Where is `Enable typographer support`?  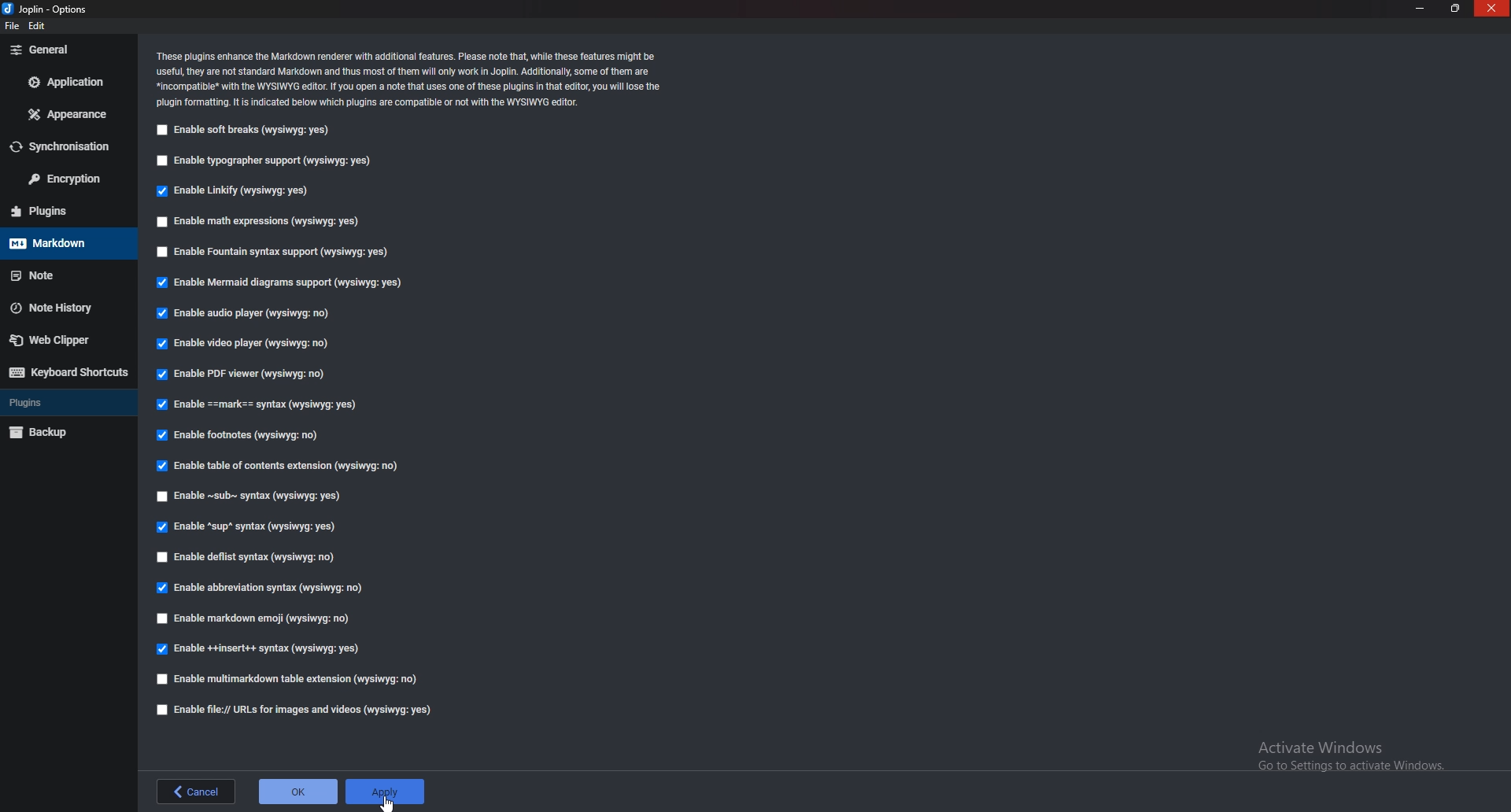
Enable typographer support is located at coordinates (269, 160).